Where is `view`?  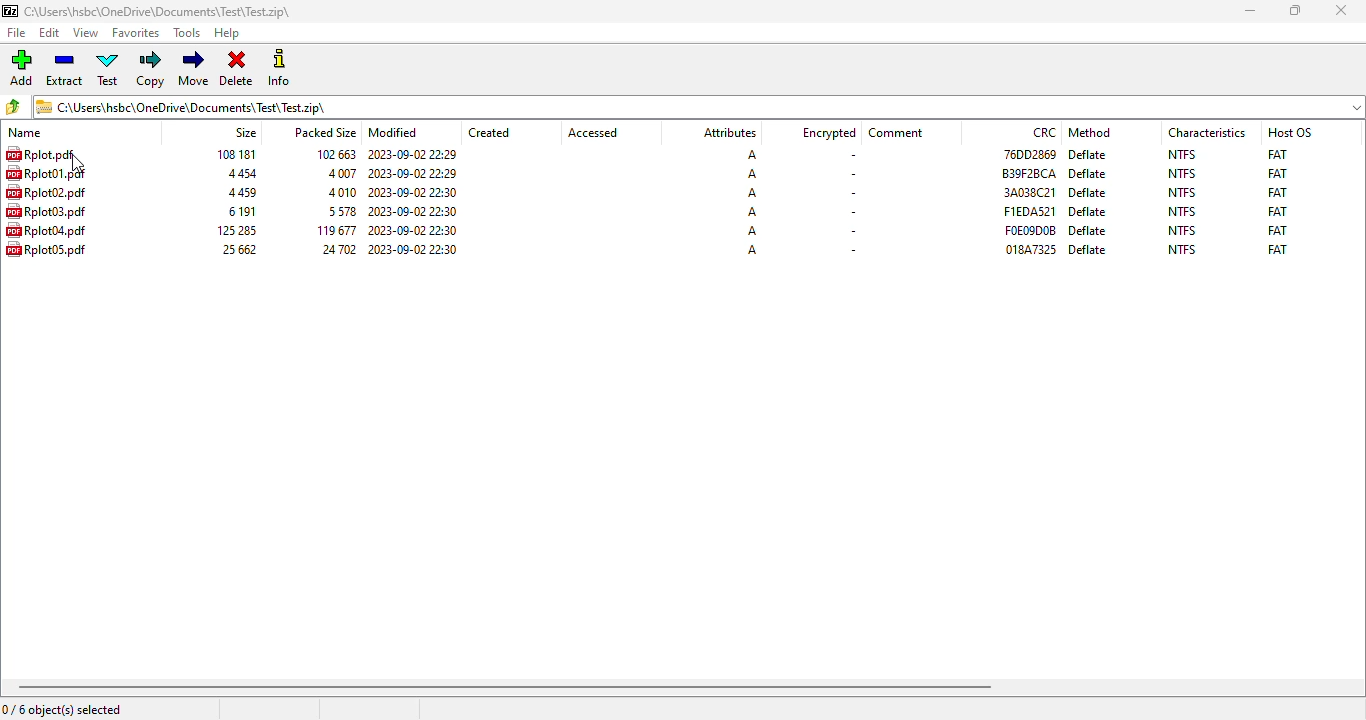
view is located at coordinates (86, 33).